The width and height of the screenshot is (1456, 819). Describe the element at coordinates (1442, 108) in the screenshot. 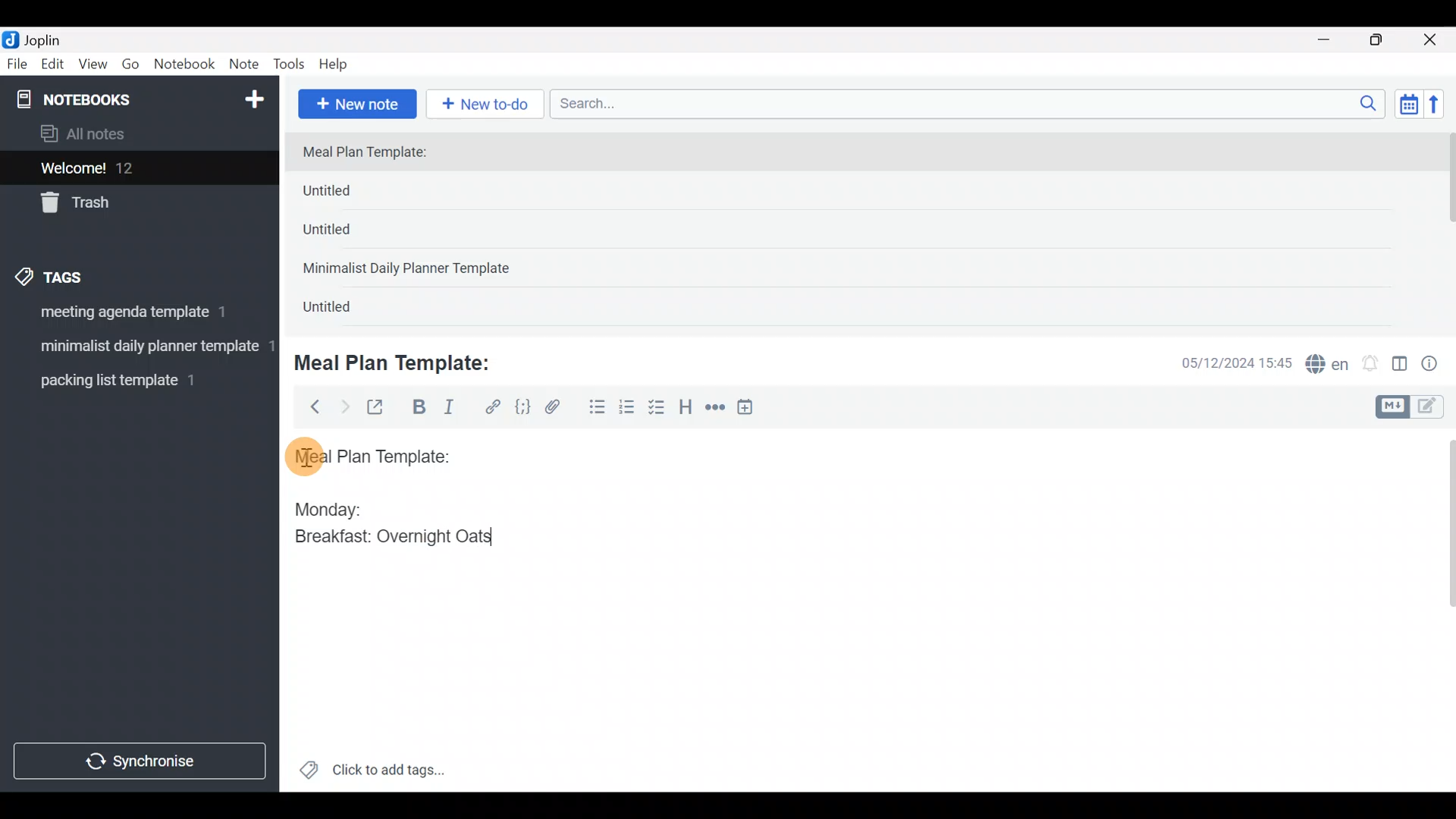

I see `Reverse sort` at that location.